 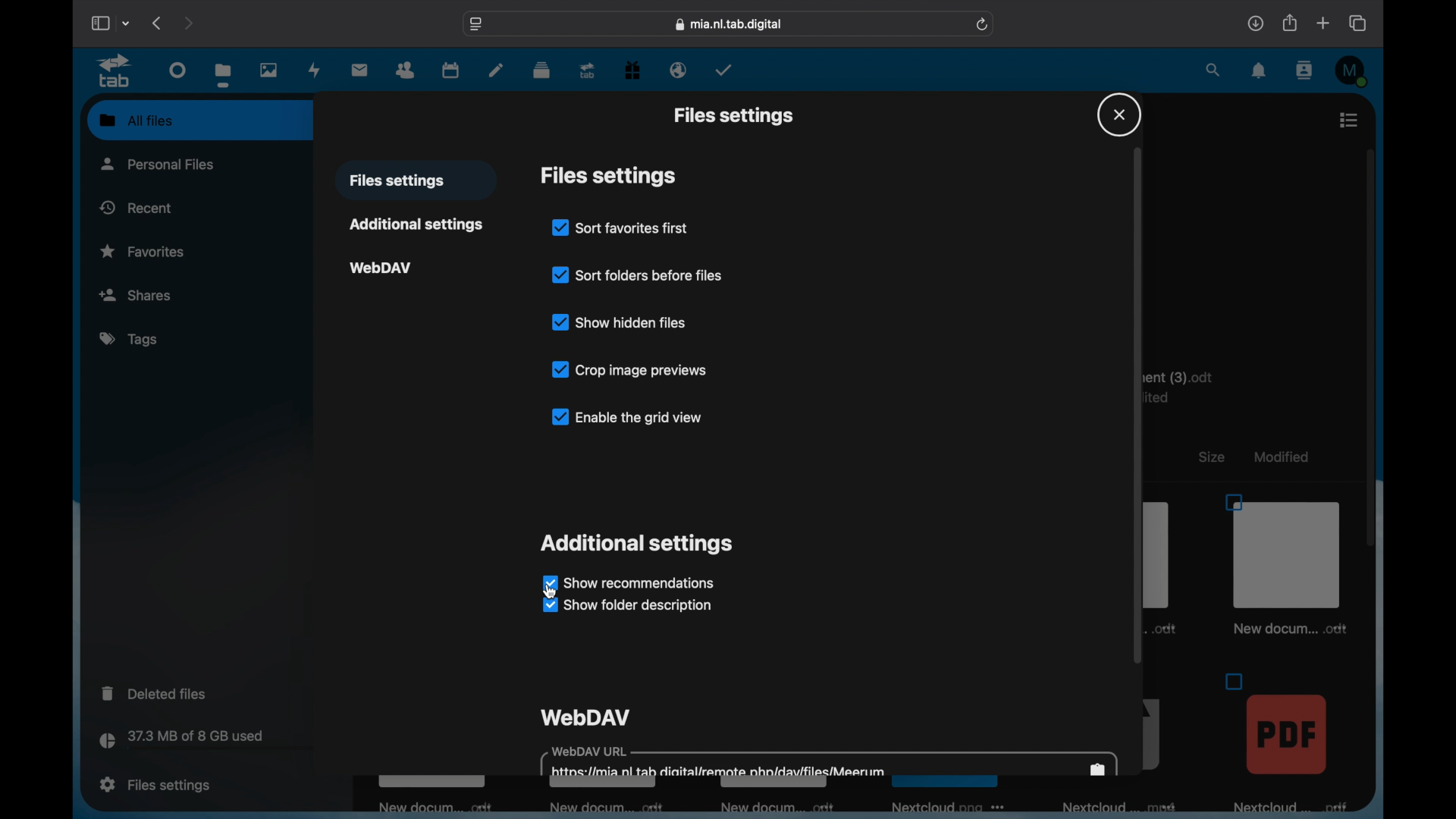 I want to click on sort favorites first, so click(x=620, y=228).